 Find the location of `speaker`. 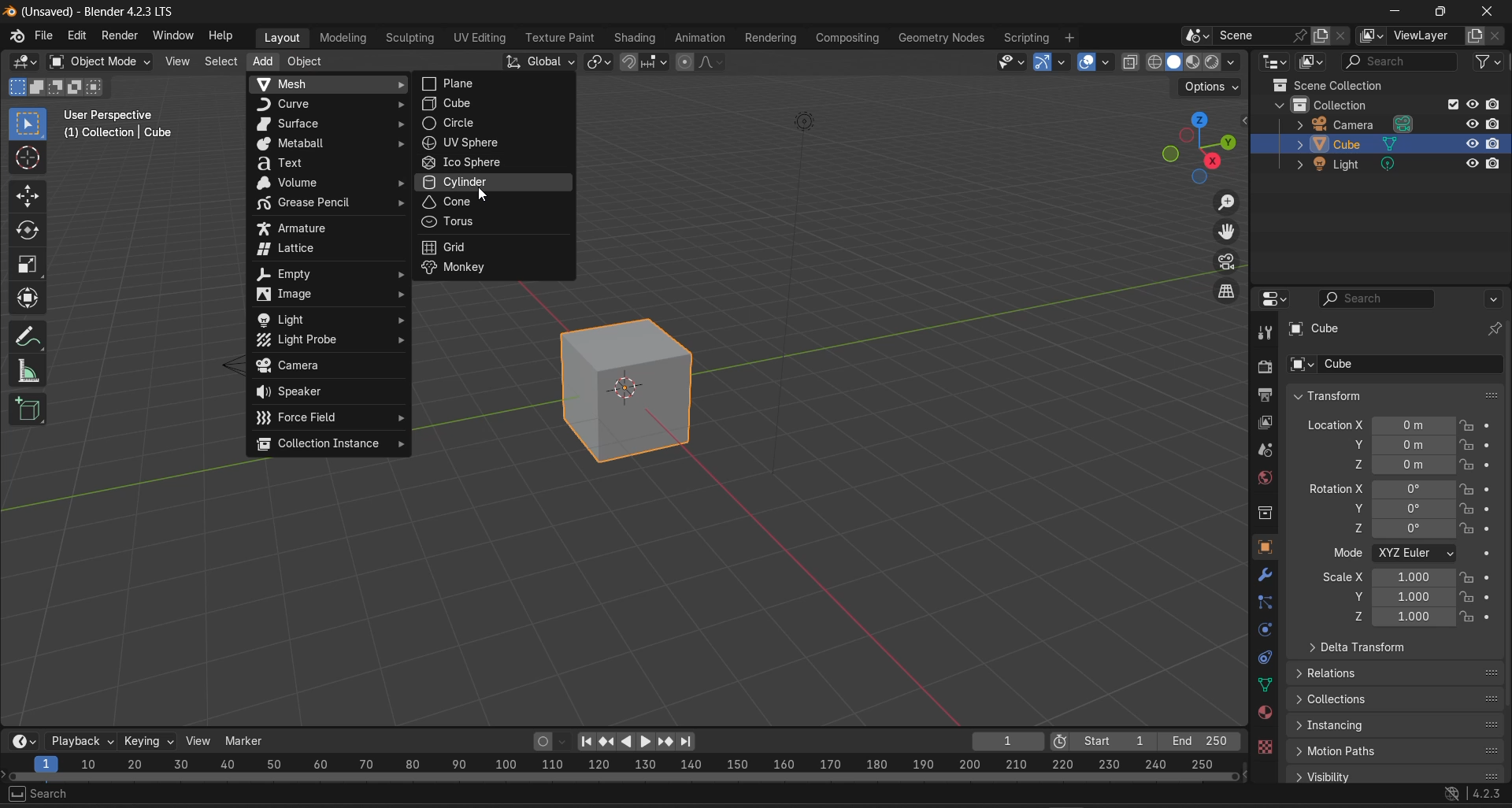

speaker is located at coordinates (329, 391).